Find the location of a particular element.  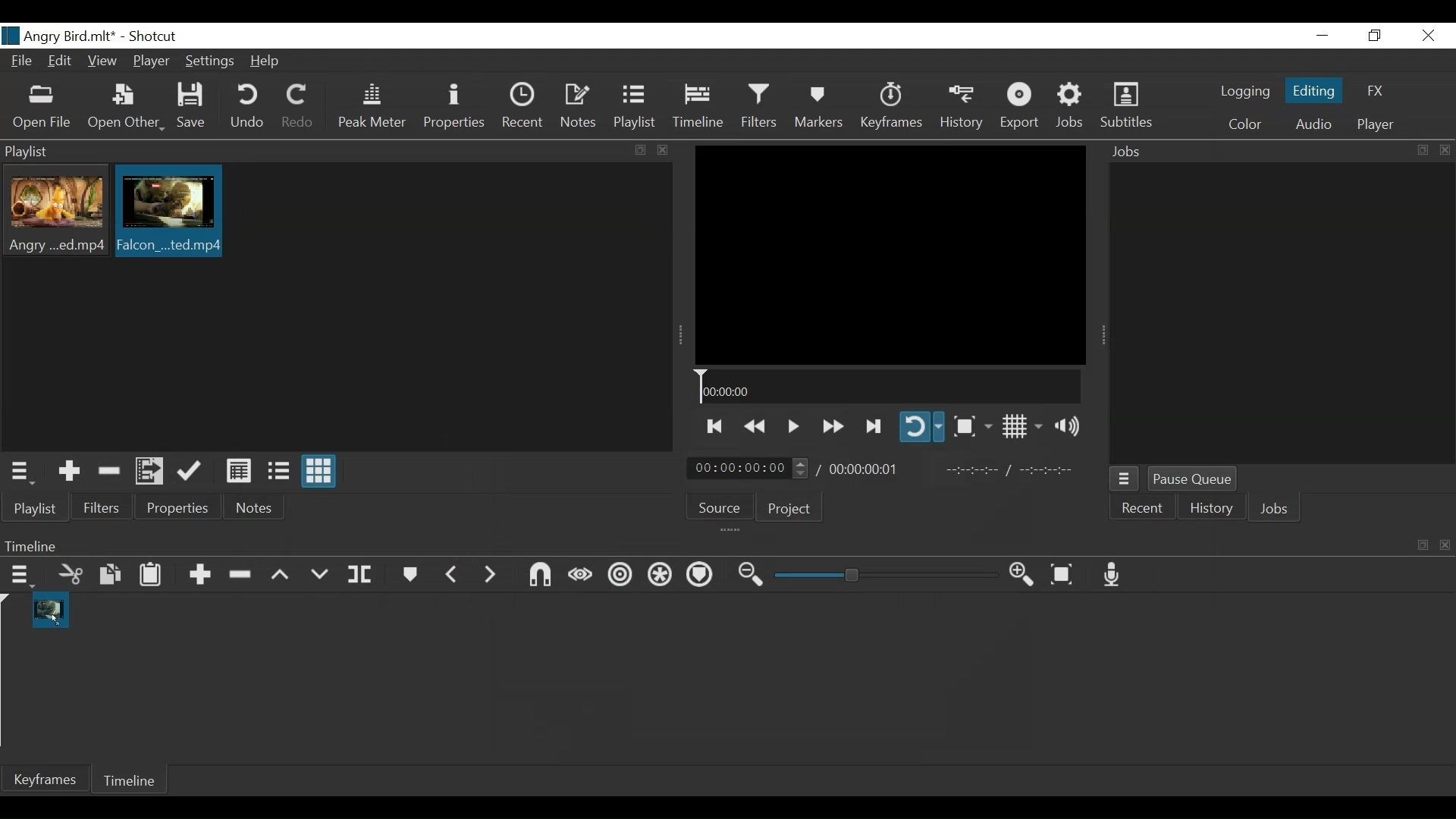

Undo is located at coordinates (249, 106).